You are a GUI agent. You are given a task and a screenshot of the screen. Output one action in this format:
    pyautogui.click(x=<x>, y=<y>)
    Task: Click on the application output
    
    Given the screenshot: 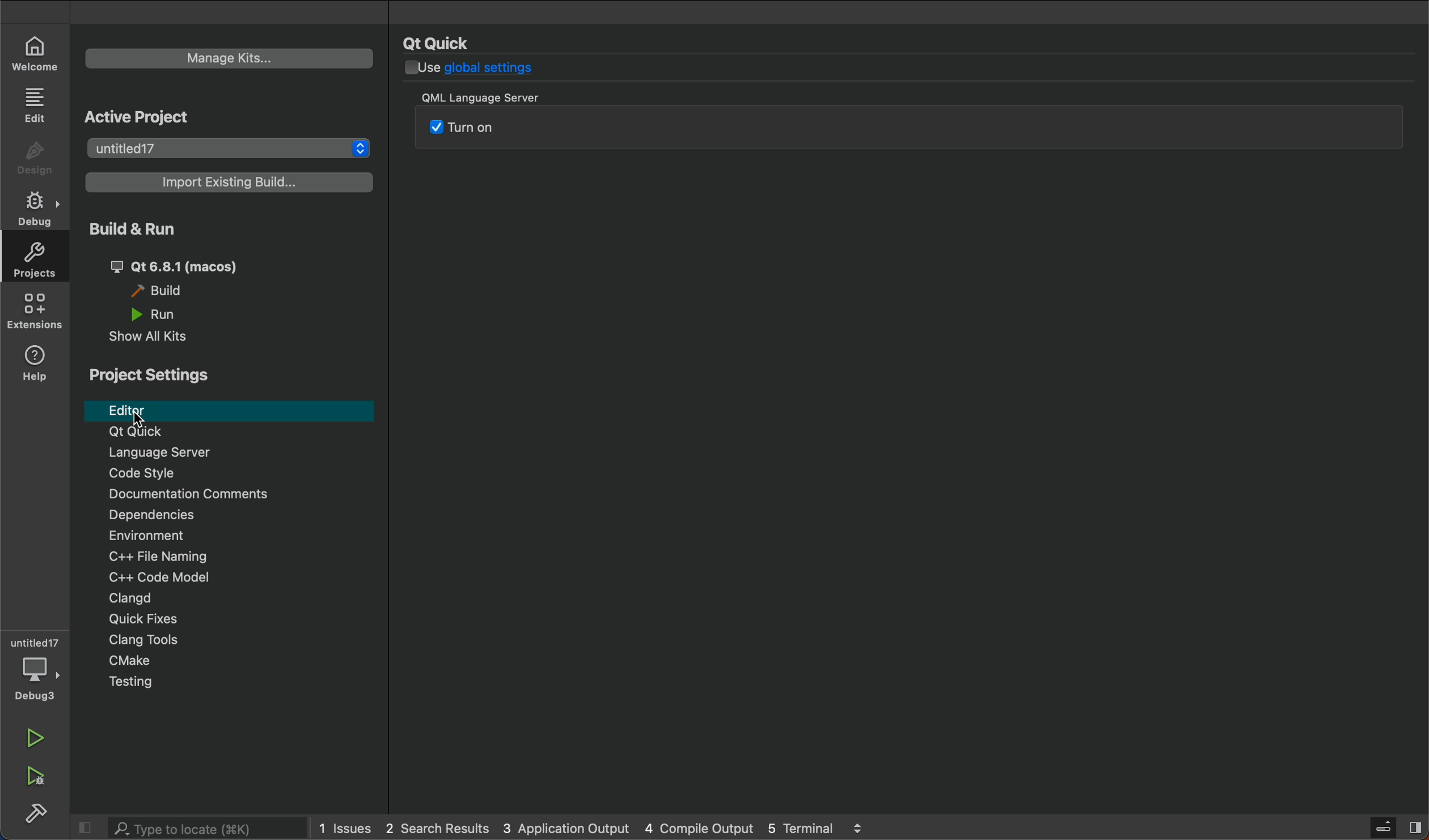 What is the action you would take?
    pyautogui.click(x=566, y=826)
    